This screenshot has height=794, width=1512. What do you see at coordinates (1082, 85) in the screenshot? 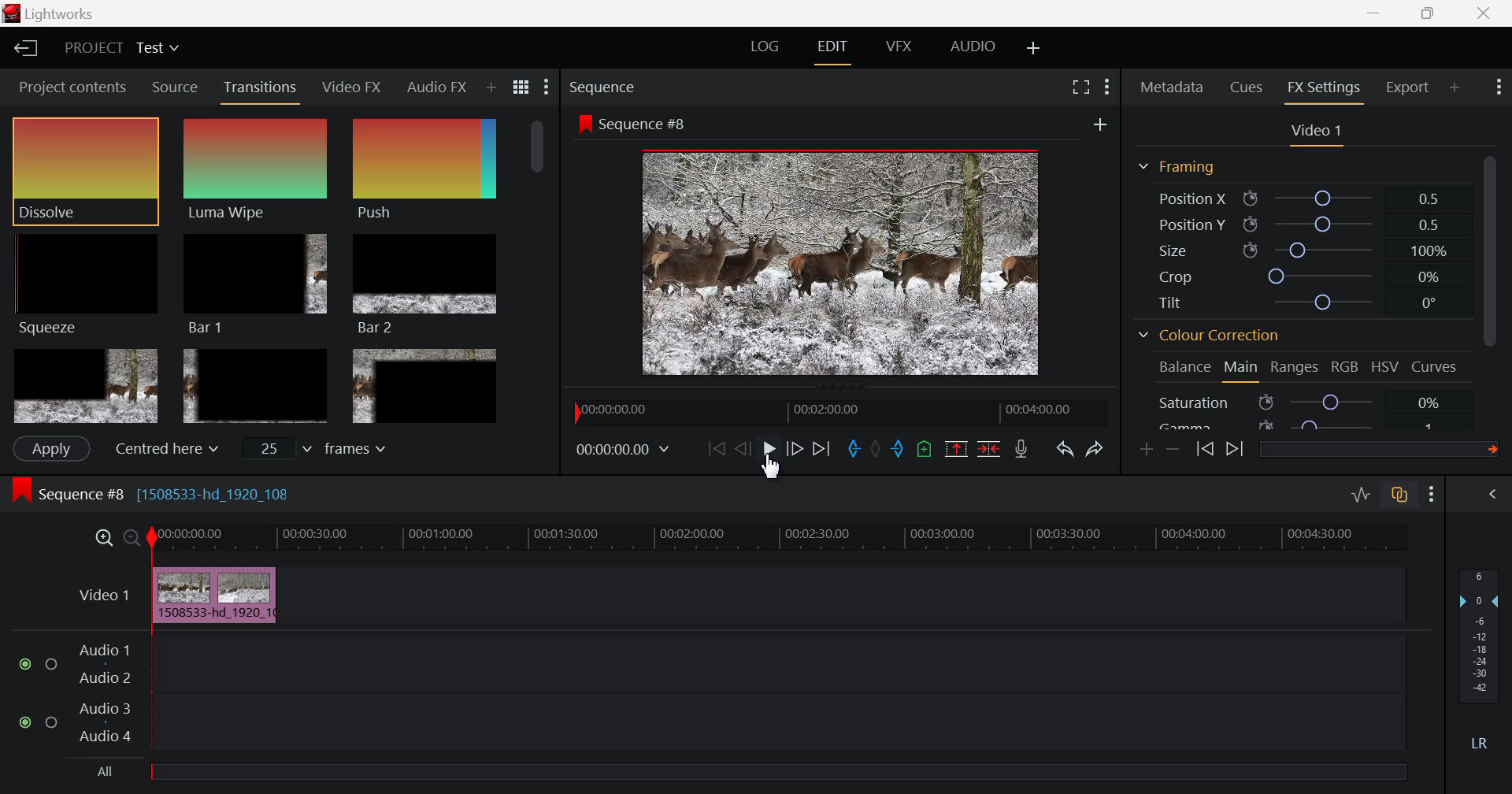
I see `Full Screen` at bounding box center [1082, 85].